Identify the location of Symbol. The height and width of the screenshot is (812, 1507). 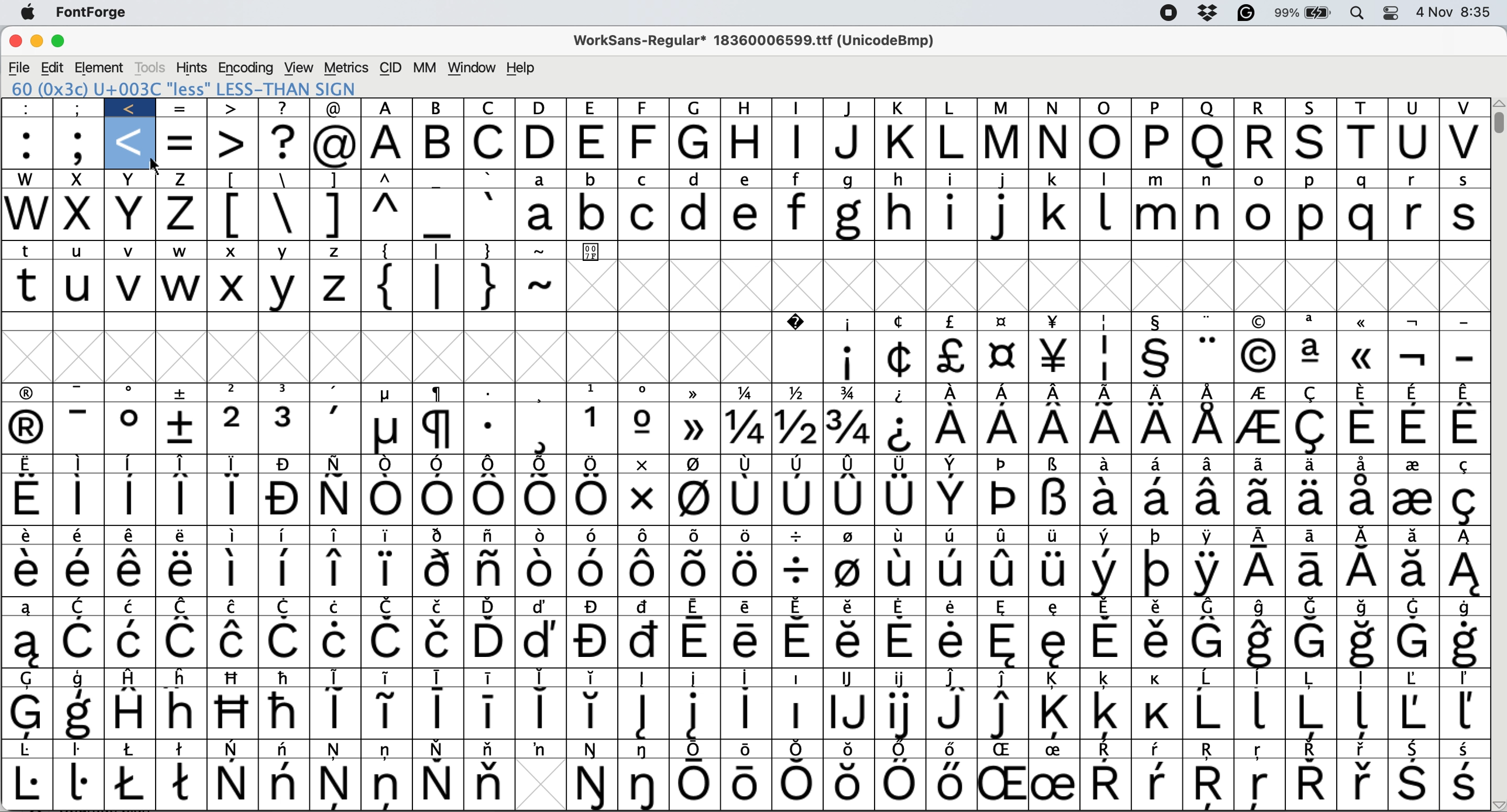
(800, 748).